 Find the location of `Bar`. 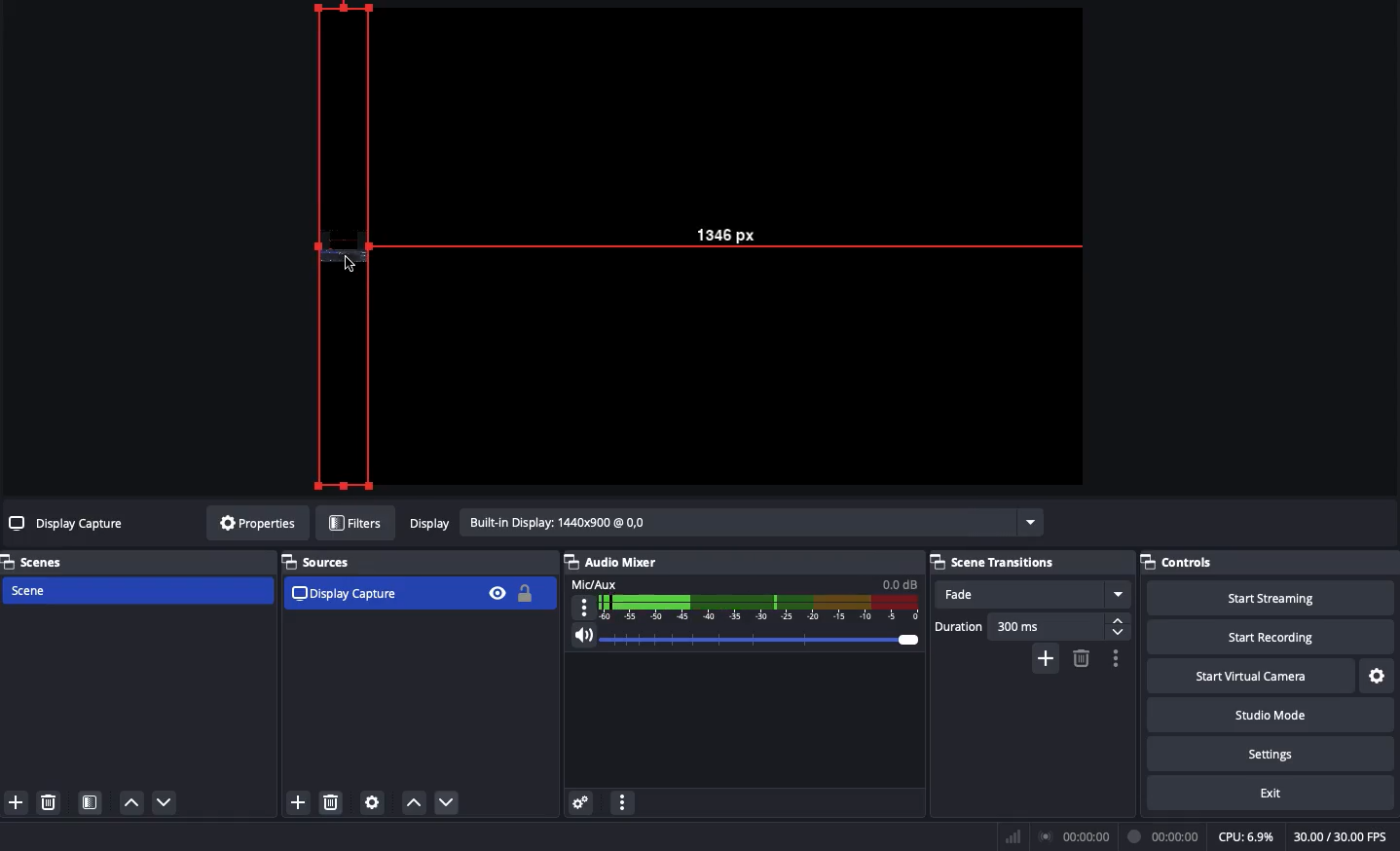

Bar is located at coordinates (1013, 836).